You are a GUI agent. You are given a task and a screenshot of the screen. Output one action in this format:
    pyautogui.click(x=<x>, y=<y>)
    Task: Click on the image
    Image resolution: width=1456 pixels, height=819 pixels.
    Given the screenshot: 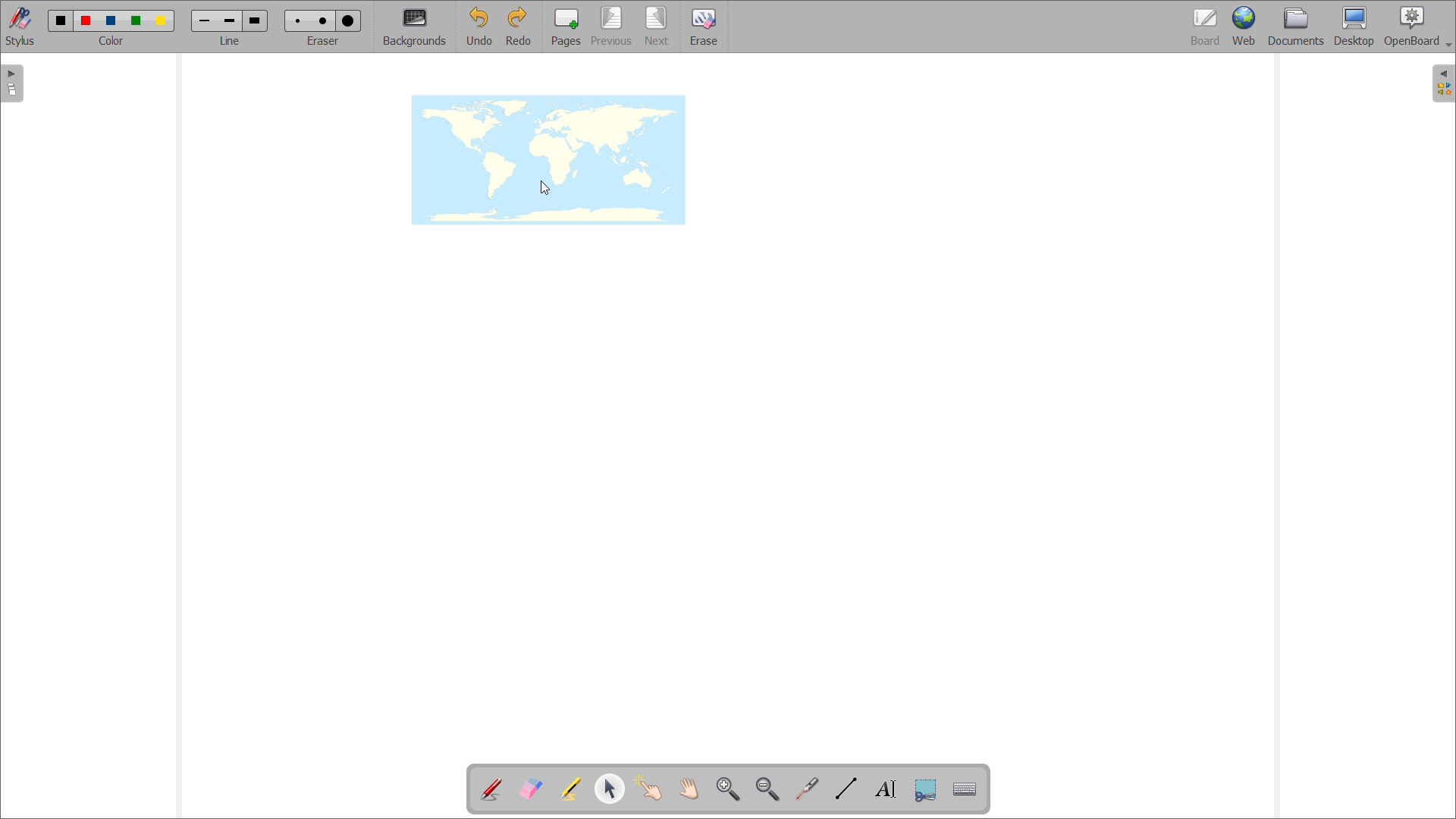 What is the action you would take?
    pyautogui.click(x=548, y=160)
    